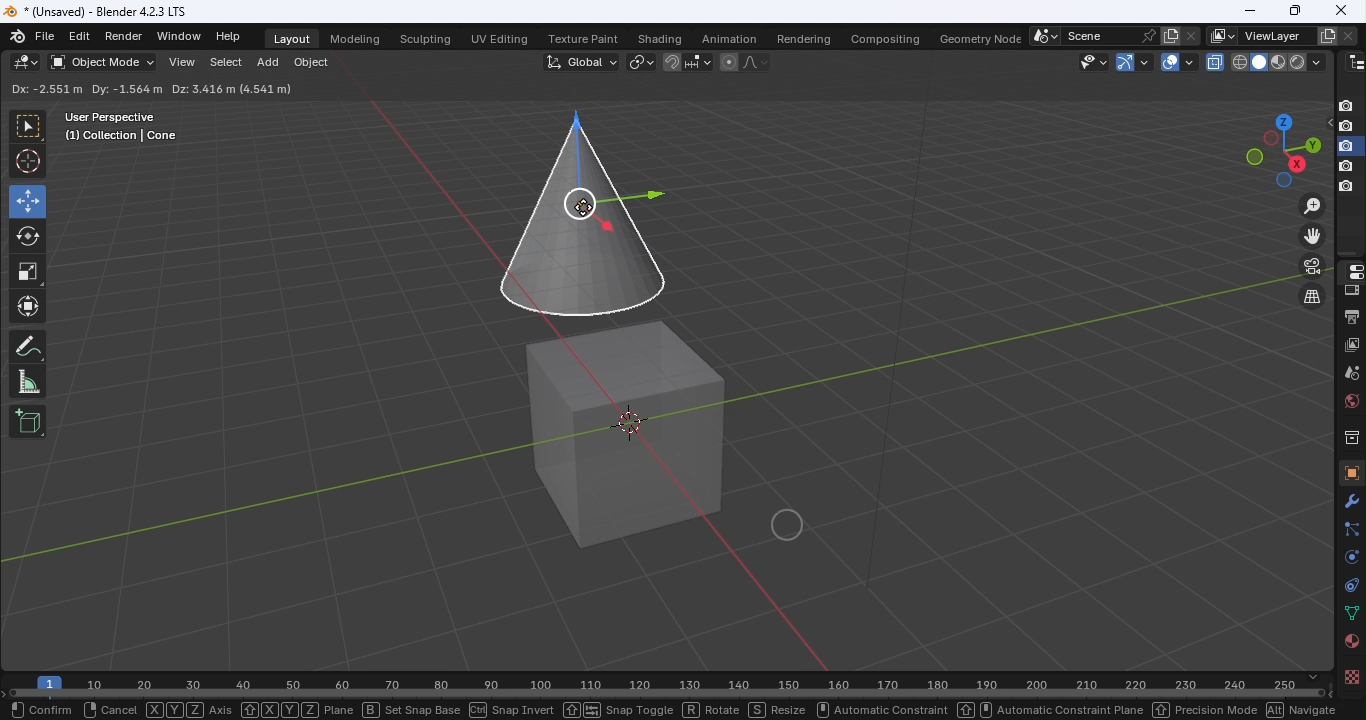 The width and height of the screenshot is (1366, 720). I want to click on The active workspace view layer showing in the window, so click(1222, 36).